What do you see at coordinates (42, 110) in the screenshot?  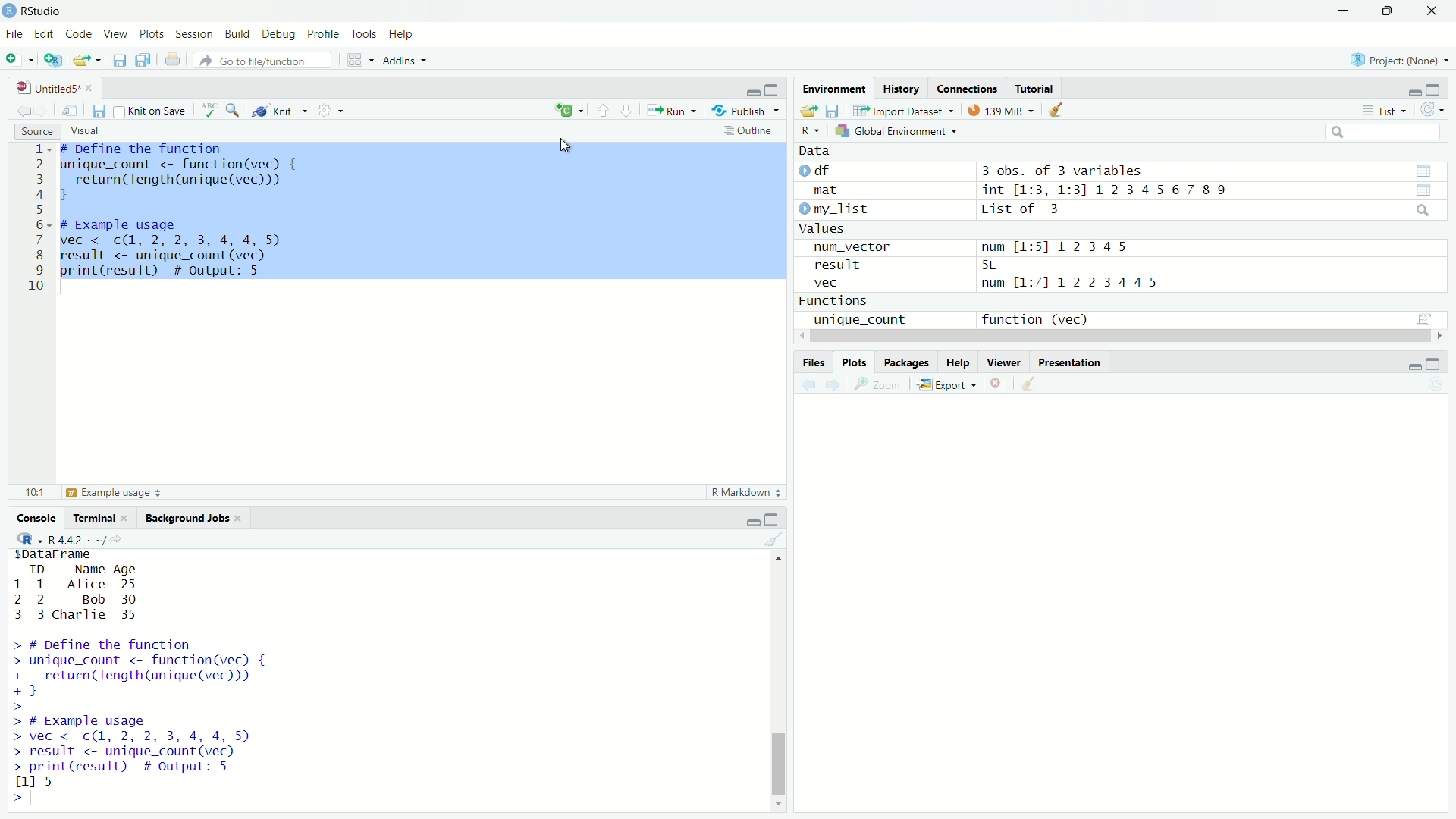 I see `forward` at bounding box center [42, 110].